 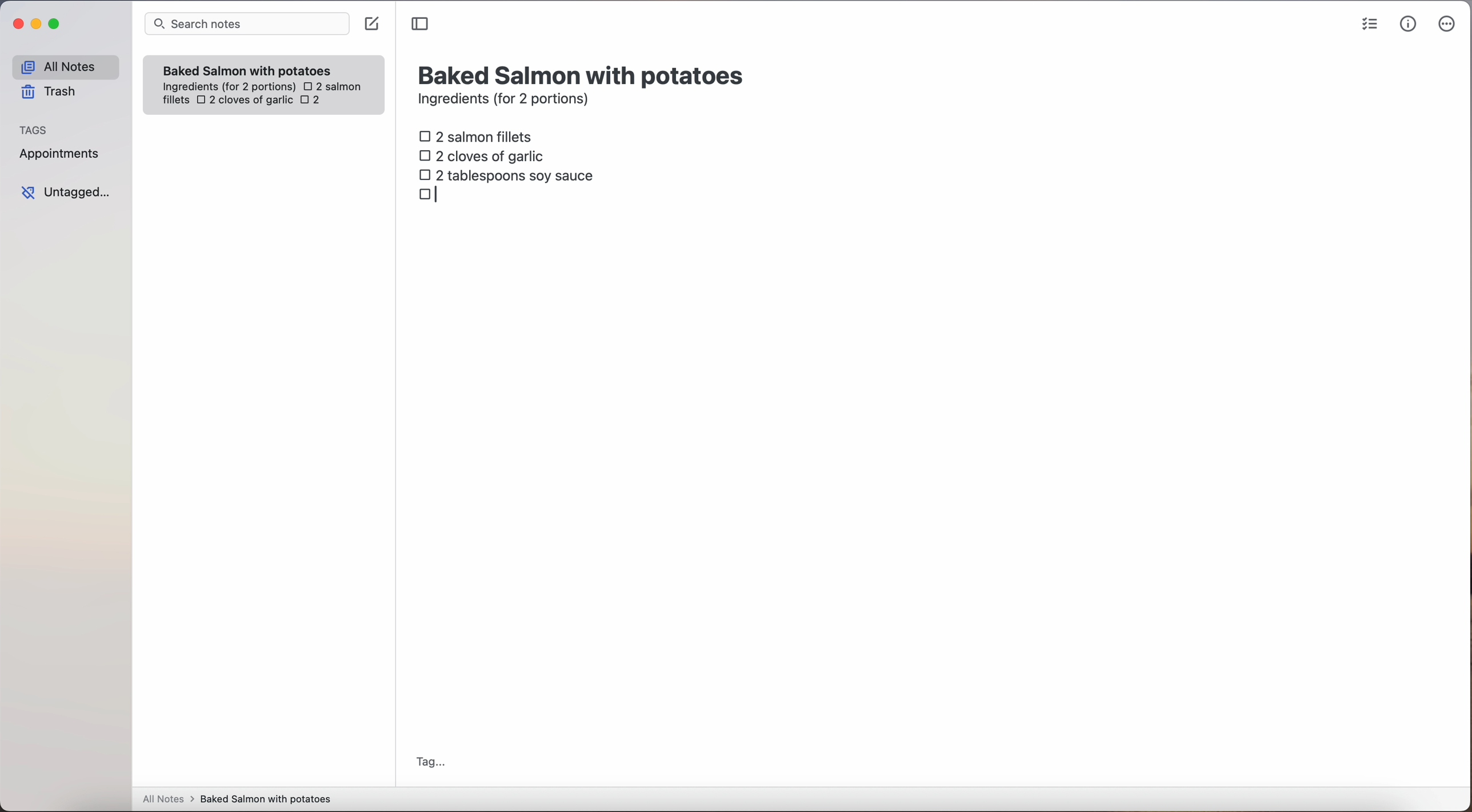 What do you see at coordinates (237, 798) in the screenshot?
I see `all notes > baked Salmon with potatoes` at bounding box center [237, 798].